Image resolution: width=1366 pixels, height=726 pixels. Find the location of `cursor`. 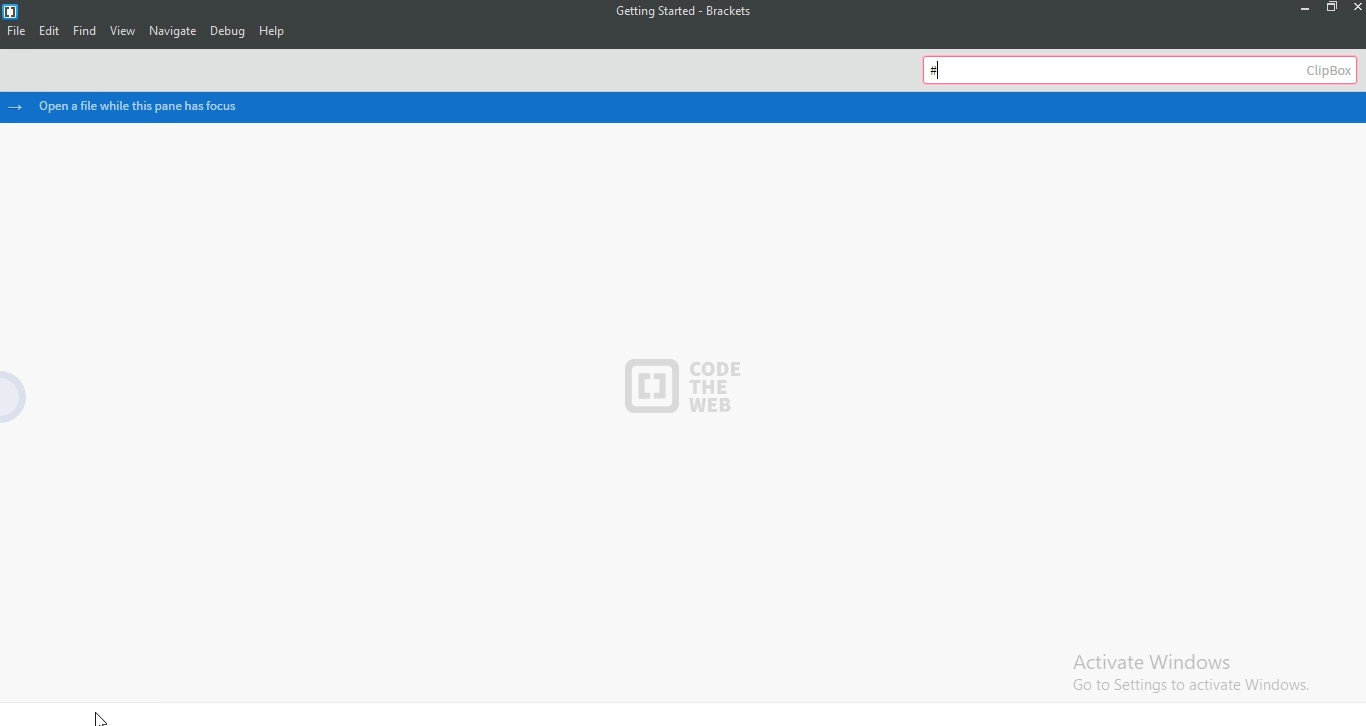

cursor is located at coordinates (101, 702).